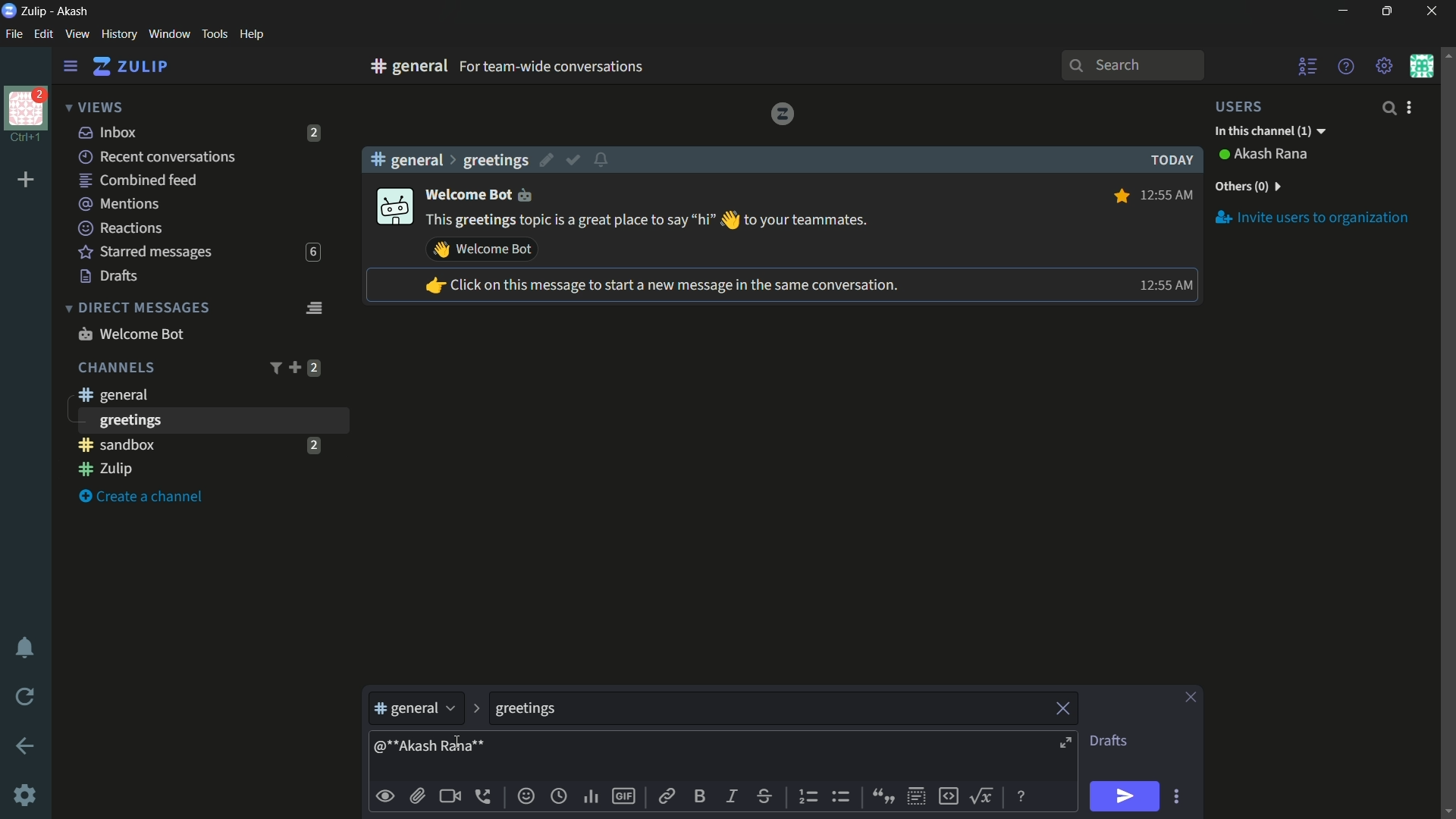  Describe the element at coordinates (1068, 745) in the screenshot. I see `expand` at that location.